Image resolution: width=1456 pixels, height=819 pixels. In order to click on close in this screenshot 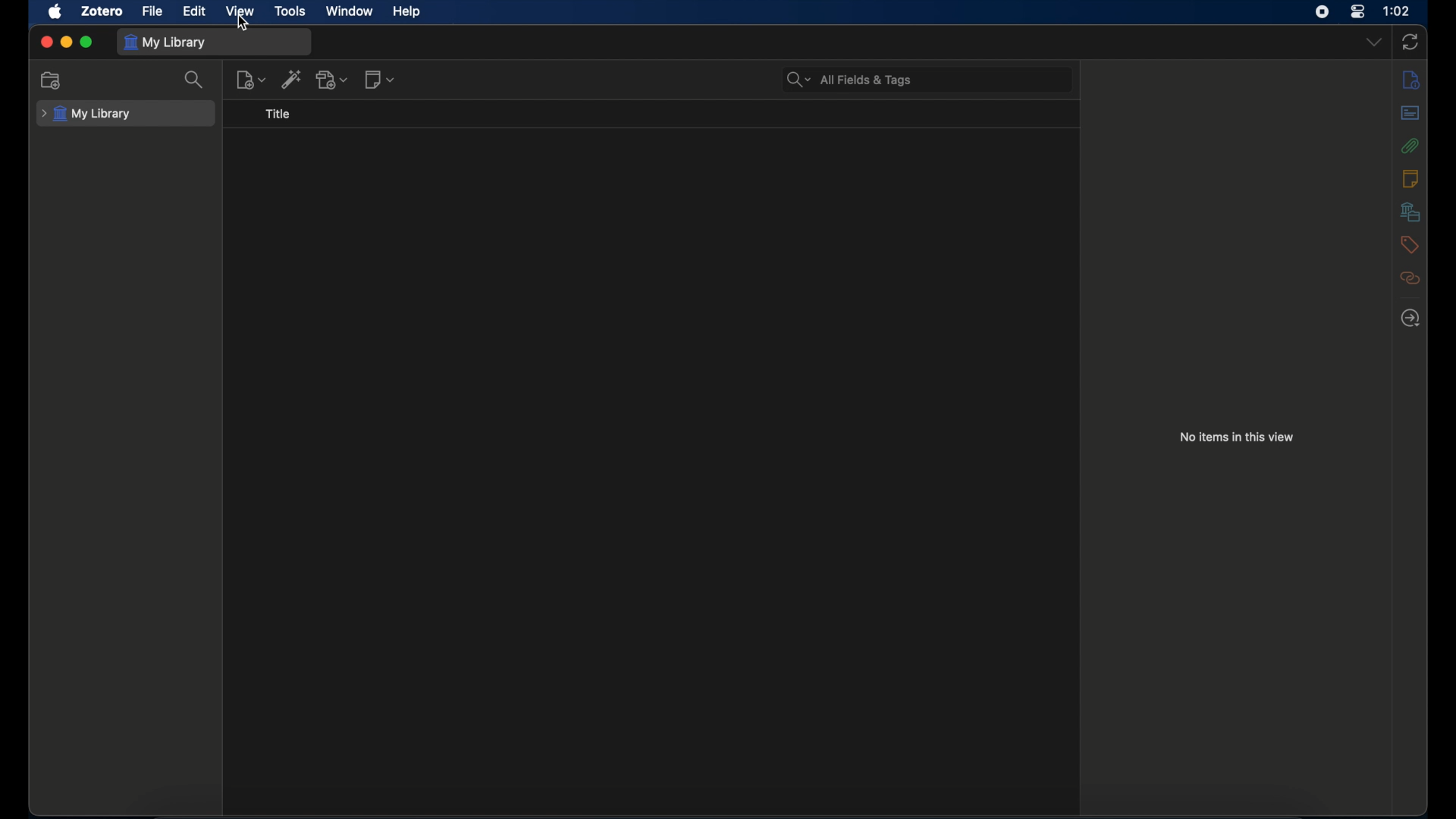, I will do `click(46, 42)`.